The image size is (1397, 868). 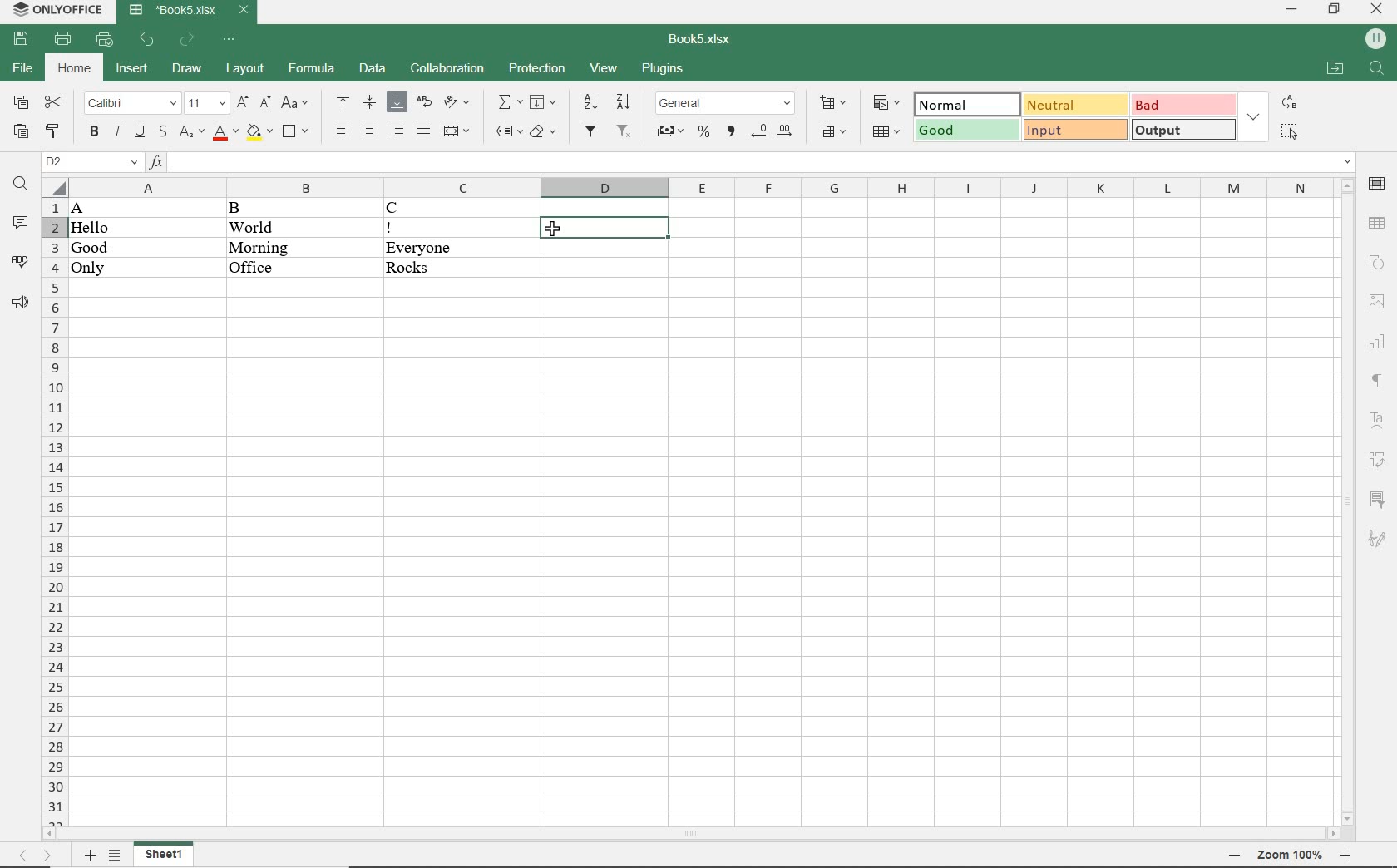 I want to click on text art, so click(x=1377, y=419).